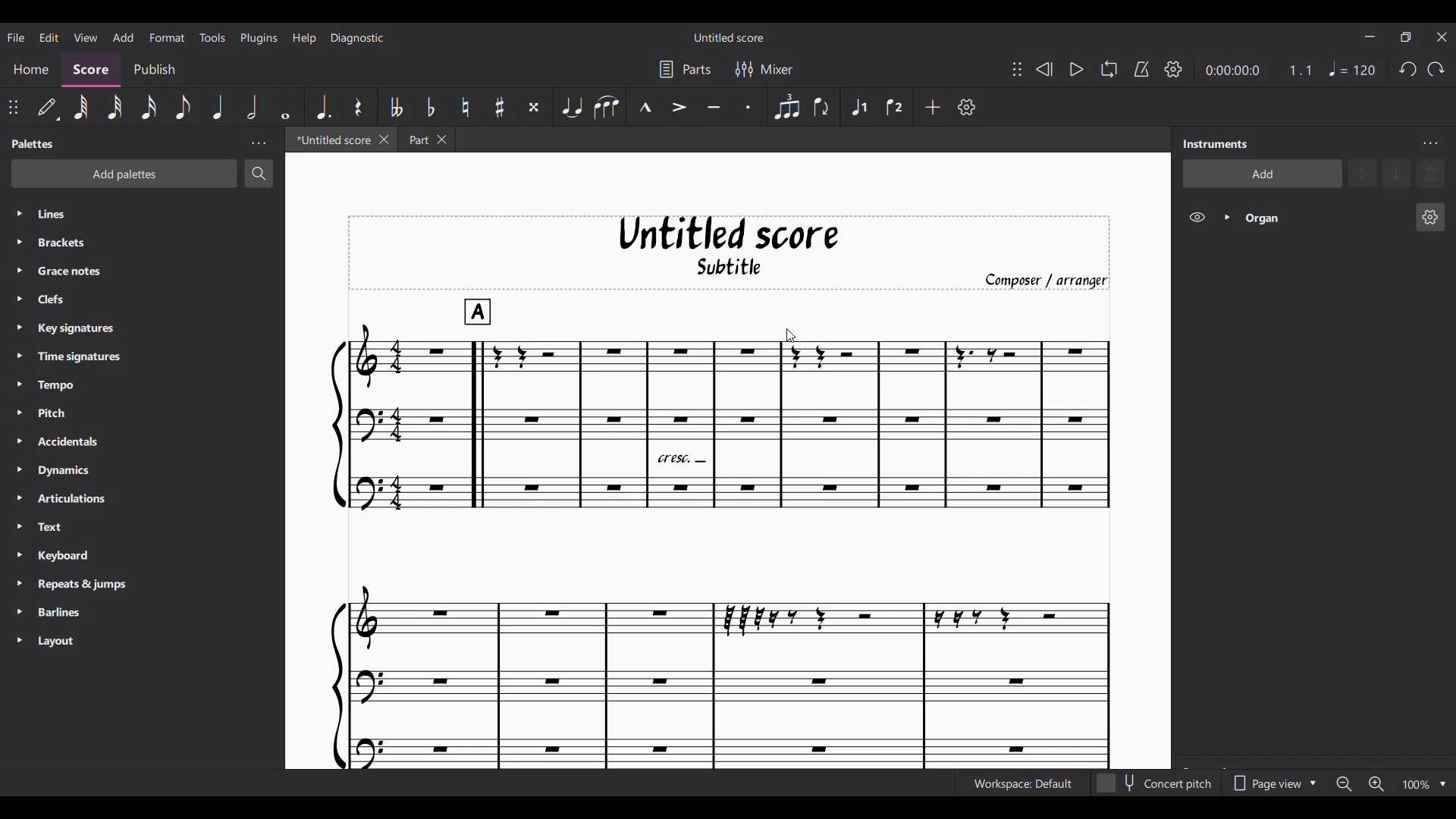  What do you see at coordinates (605, 107) in the screenshot?
I see `Slur` at bounding box center [605, 107].